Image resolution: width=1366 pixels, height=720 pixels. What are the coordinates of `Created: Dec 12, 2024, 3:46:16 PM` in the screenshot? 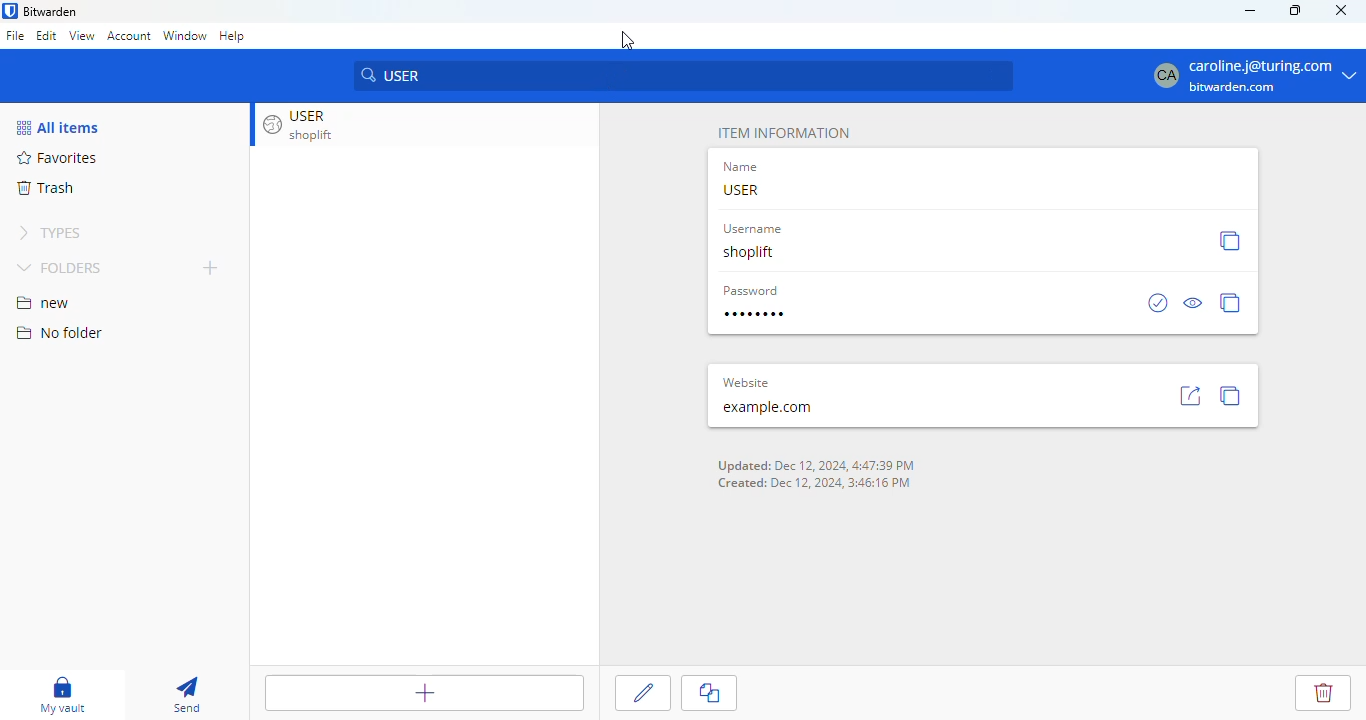 It's located at (816, 482).